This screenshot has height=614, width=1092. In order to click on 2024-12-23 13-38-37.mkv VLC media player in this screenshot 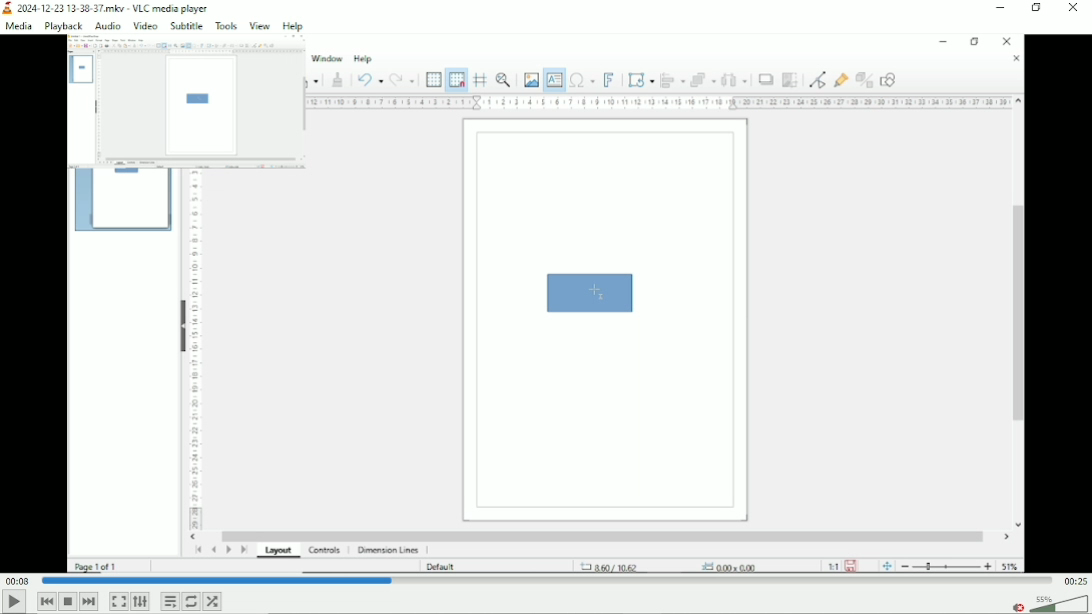, I will do `click(109, 8)`.